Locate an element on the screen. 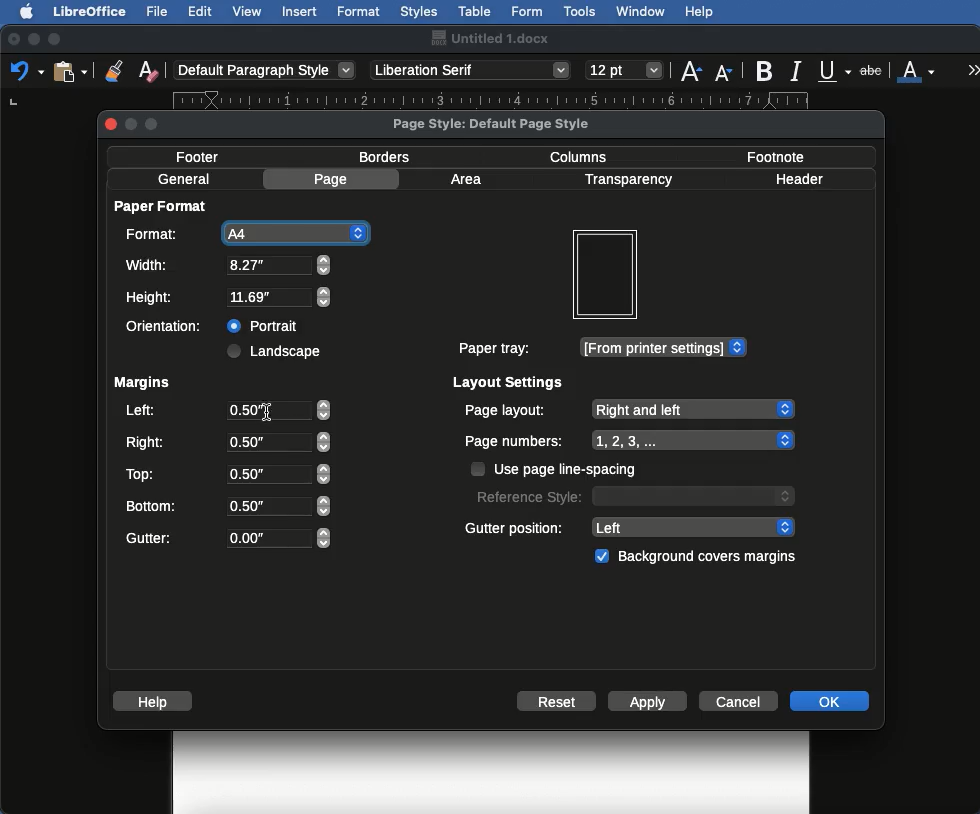  Area is located at coordinates (469, 179).